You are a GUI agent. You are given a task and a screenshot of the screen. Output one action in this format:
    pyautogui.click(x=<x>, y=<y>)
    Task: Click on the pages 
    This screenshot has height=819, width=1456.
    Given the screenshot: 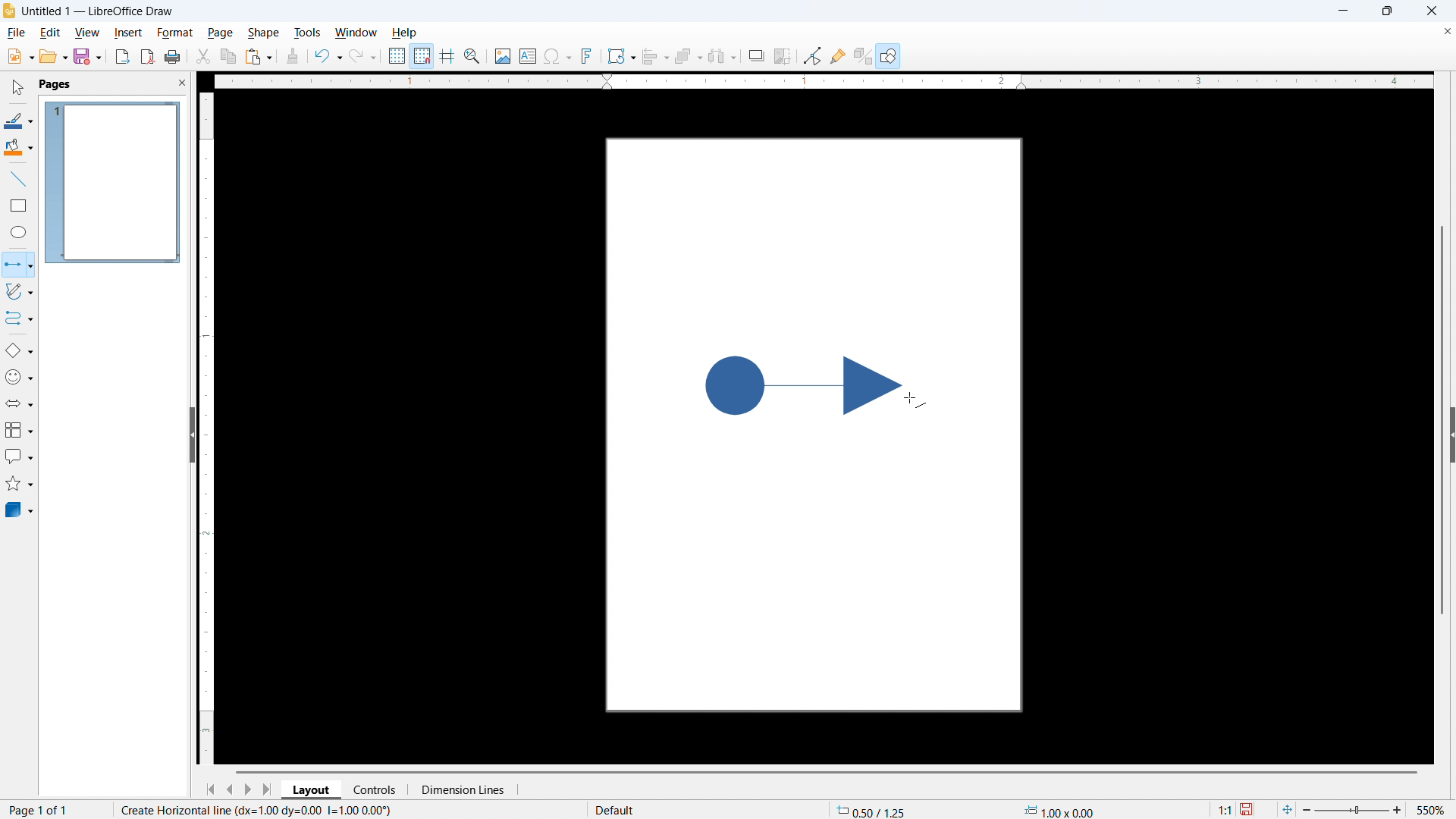 What is the action you would take?
    pyautogui.click(x=57, y=84)
    